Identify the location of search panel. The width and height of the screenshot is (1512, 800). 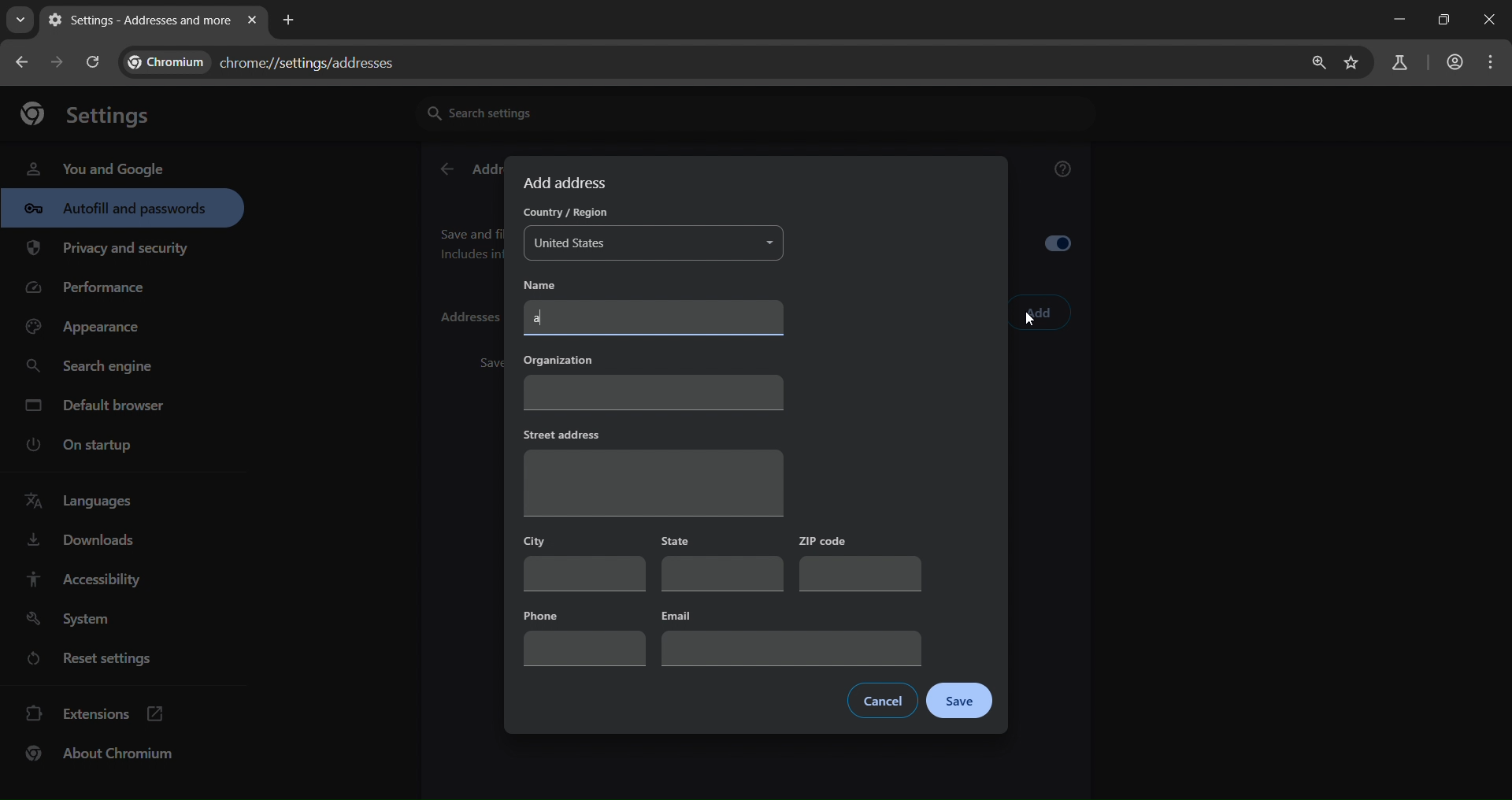
(1398, 64).